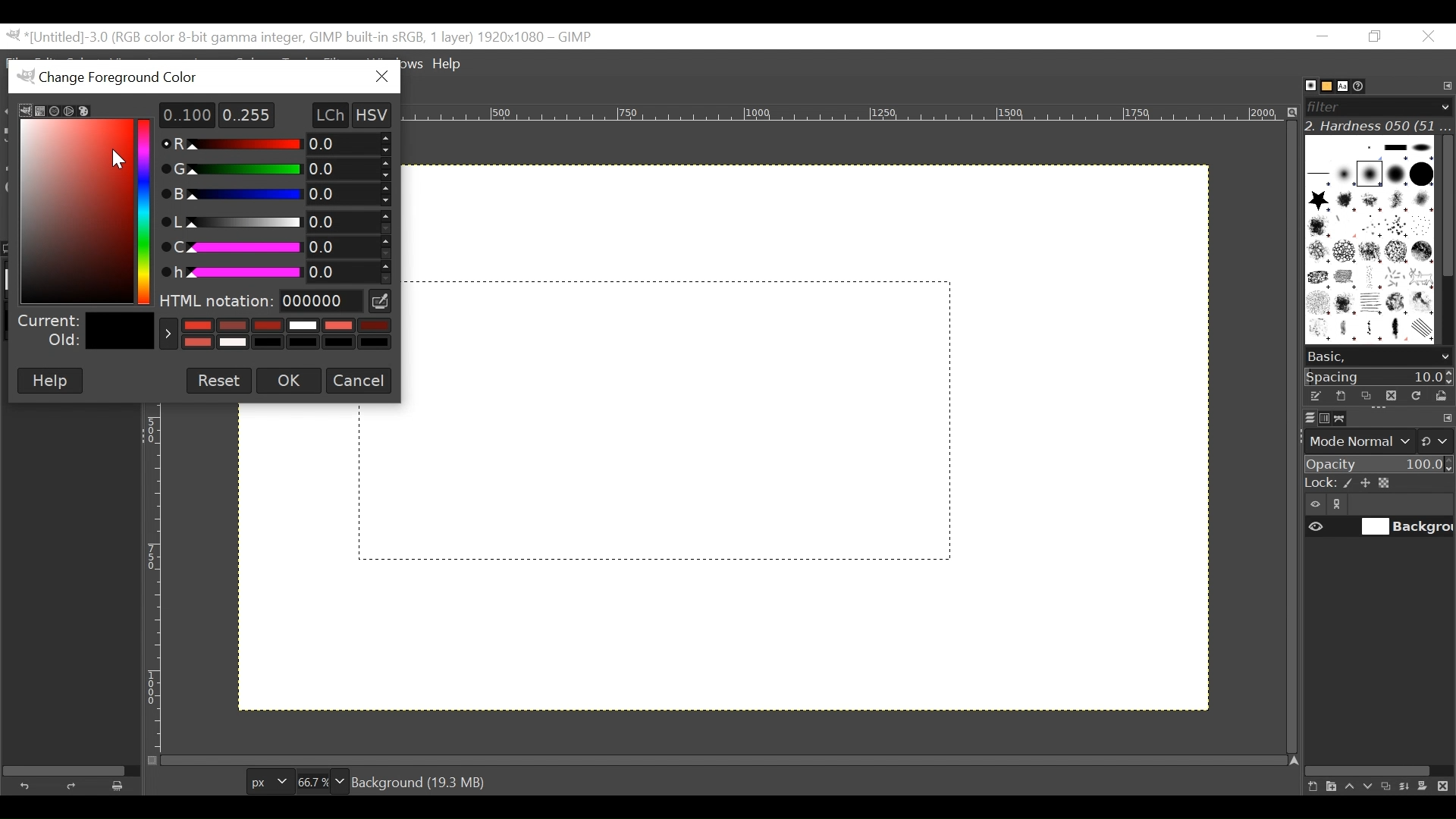 The width and height of the screenshot is (1456, 819). I want to click on Raise the layer, so click(1349, 786).